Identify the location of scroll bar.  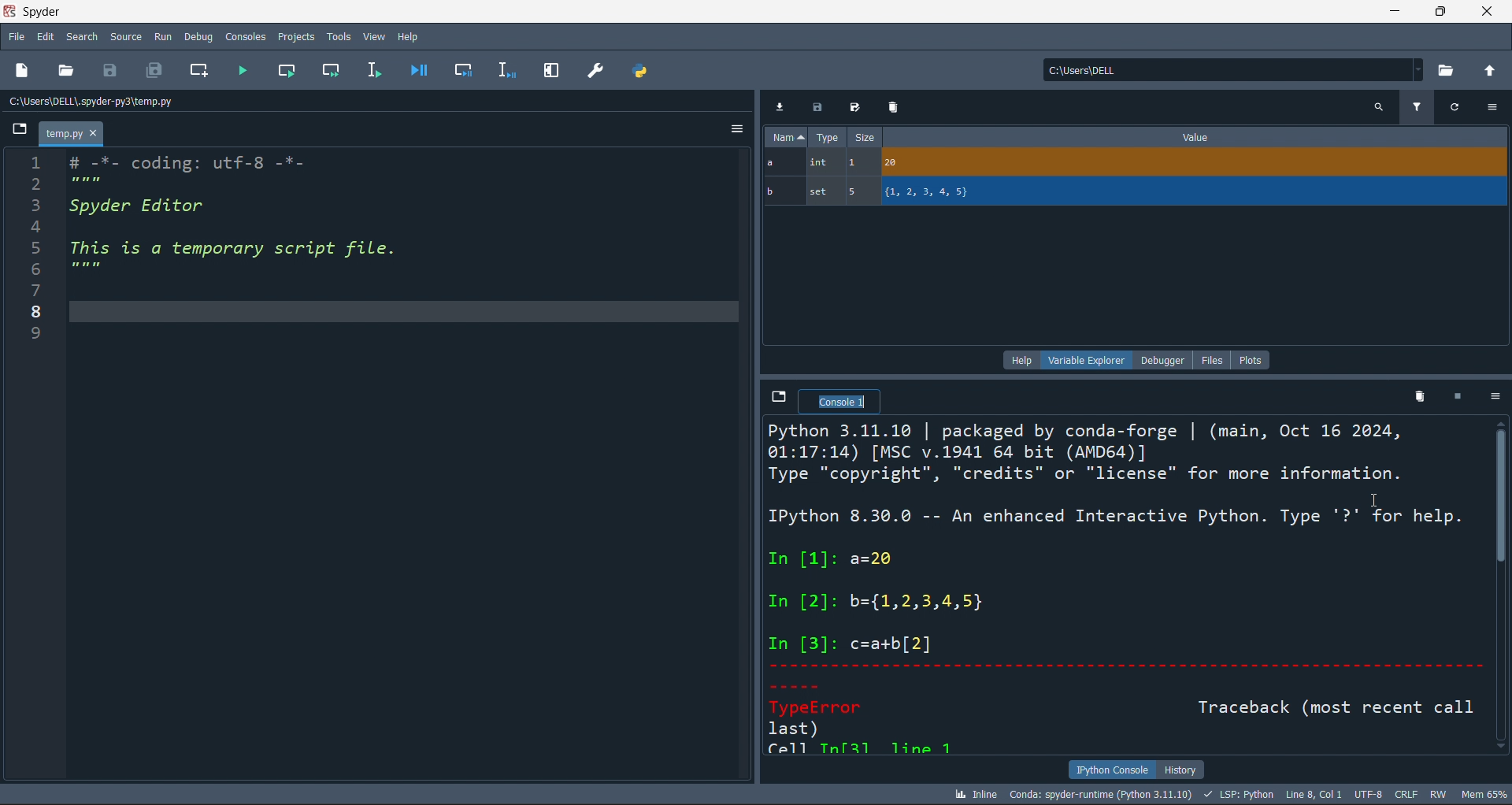
(1503, 588).